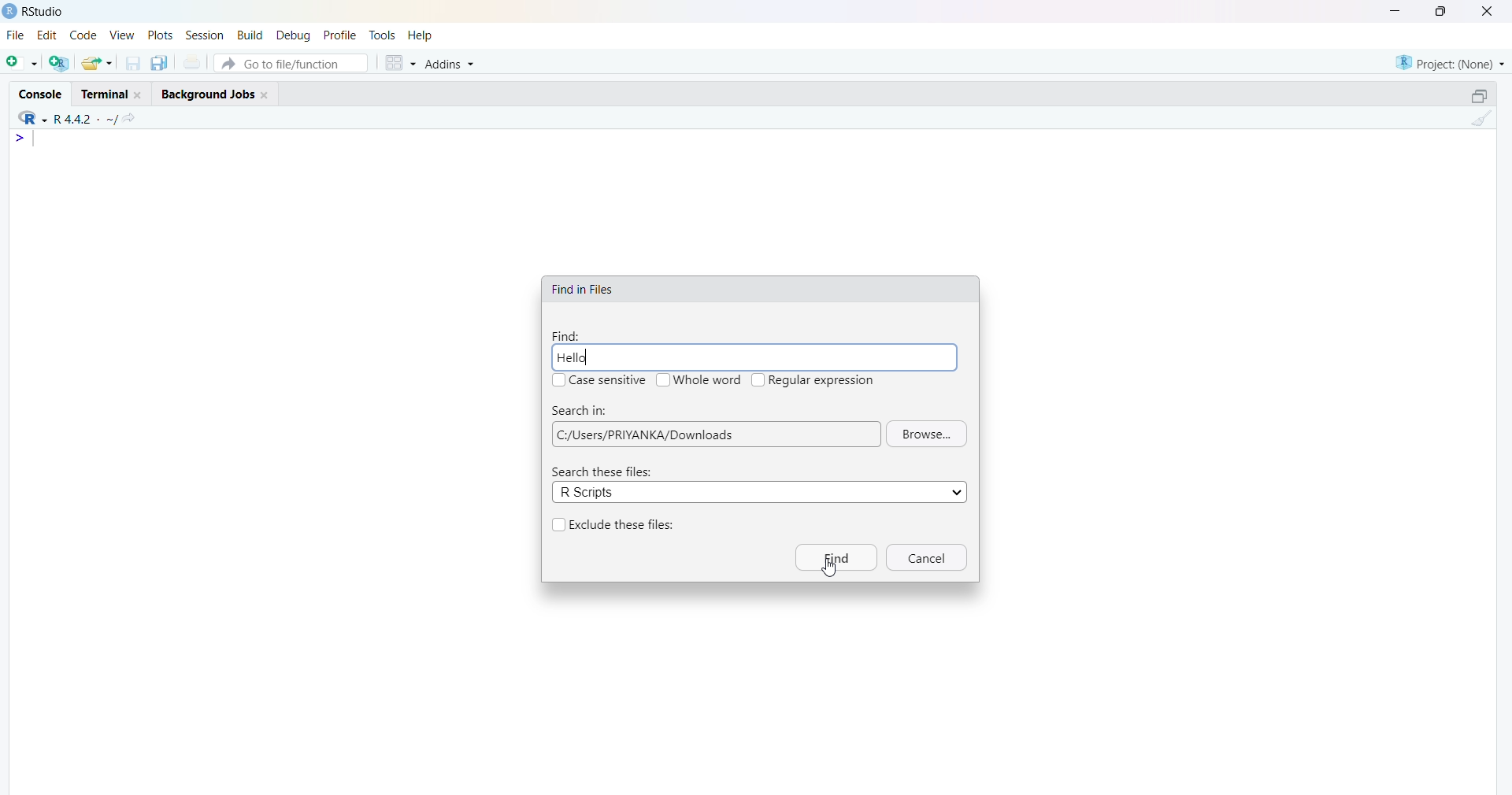 The height and width of the screenshot is (795, 1512). Describe the element at coordinates (831, 567) in the screenshot. I see `cursor` at that location.